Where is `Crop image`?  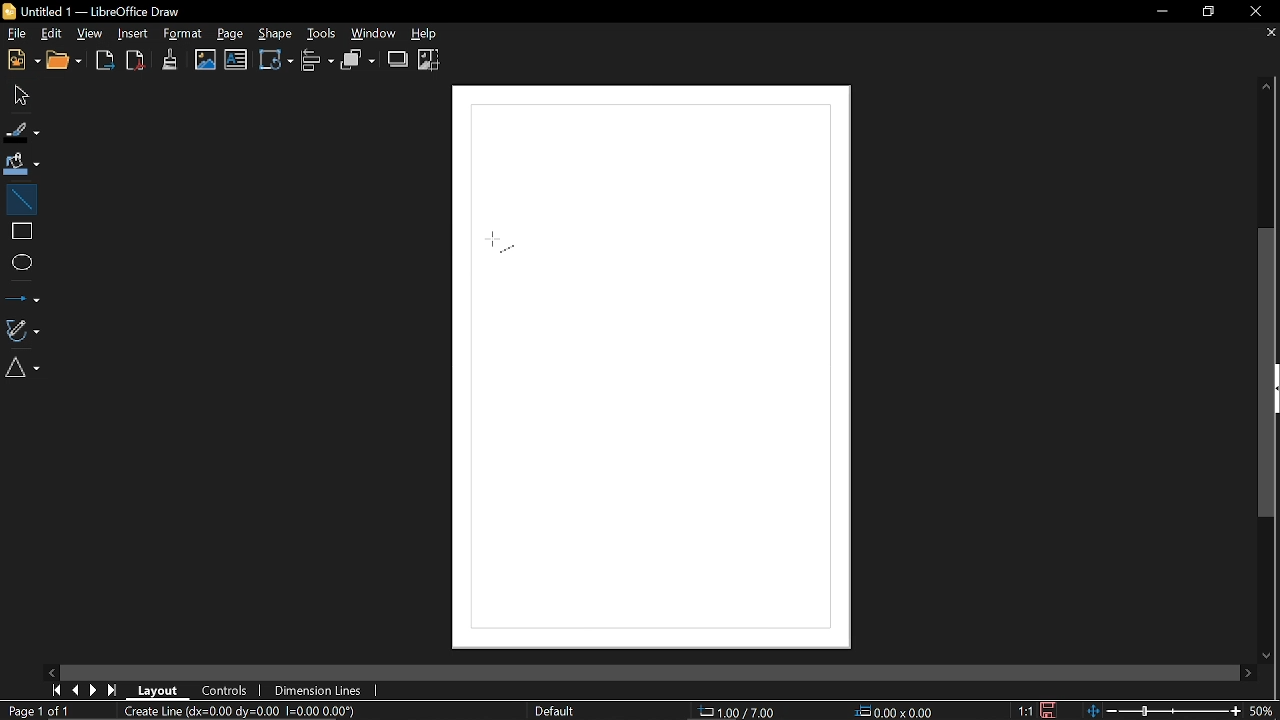
Crop image is located at coordinates (431, 59).